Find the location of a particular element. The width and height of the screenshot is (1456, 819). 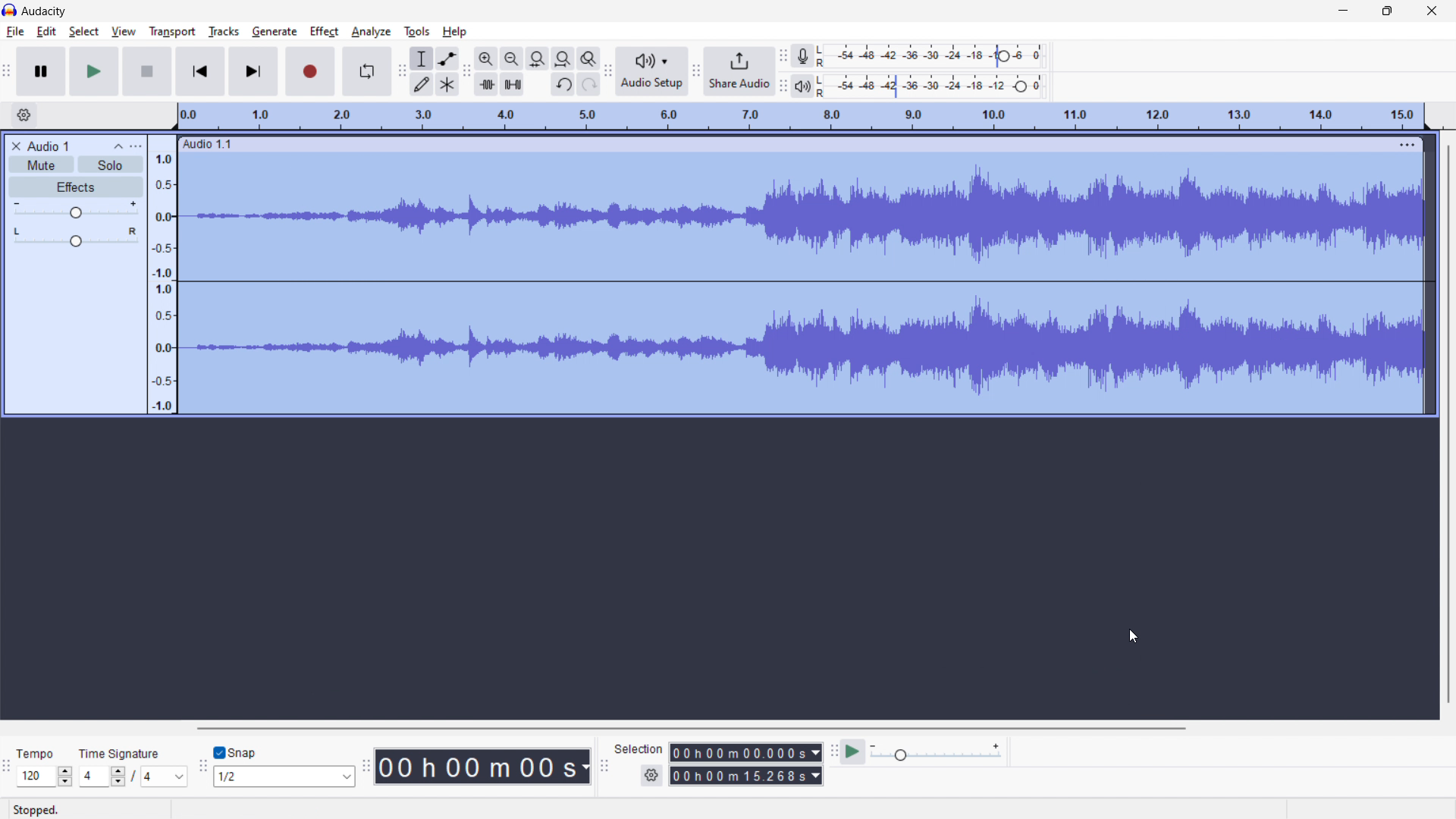

fit selection to width is located at coordinates (537, 58).